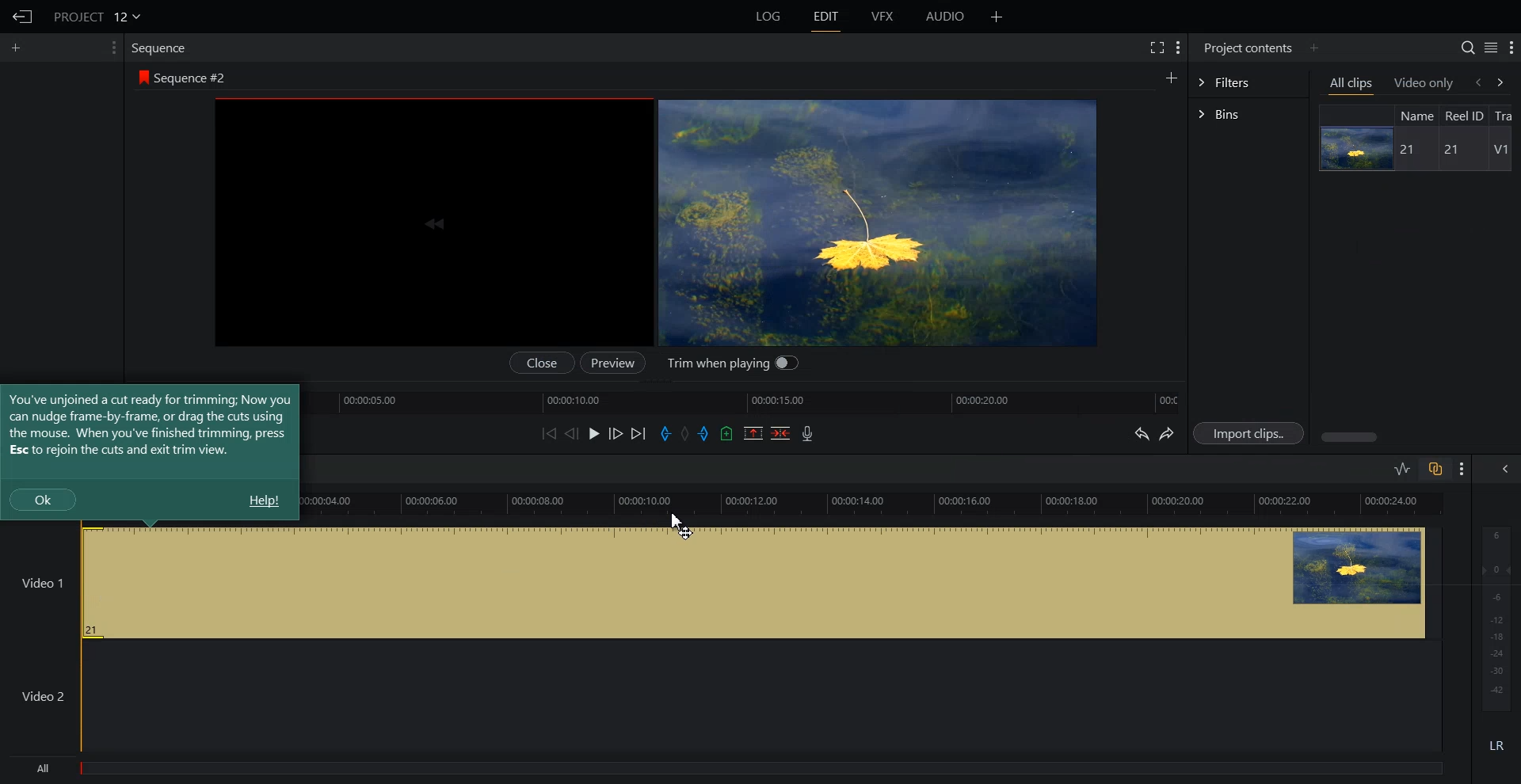 This screenshot has height=784, width=1521. What do you see at coordinates (1171, 76) in the screenshot?
I see `Add Panel` at bounding box center [1171, 76].